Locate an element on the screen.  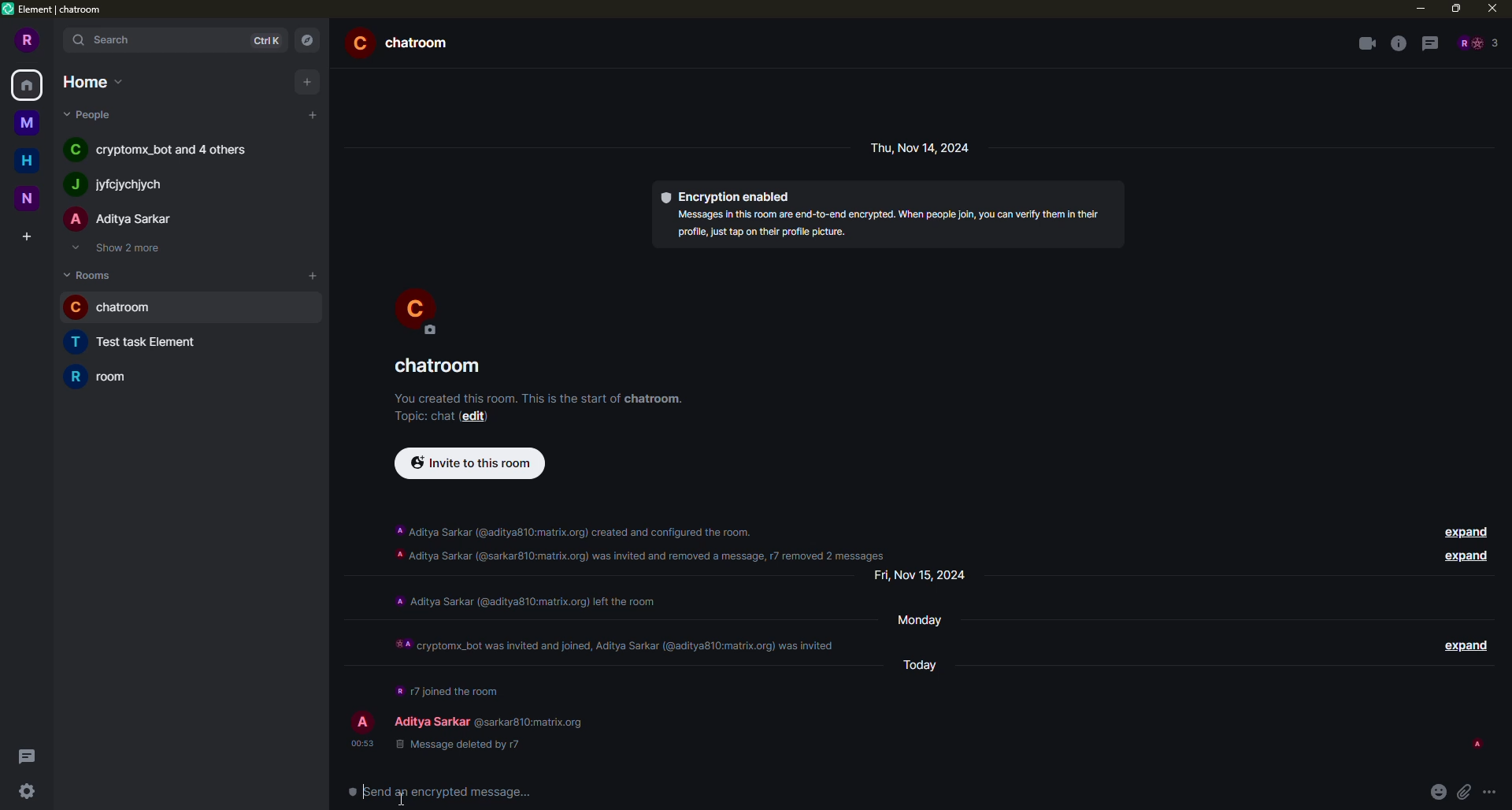
element is located at coordinates (57, 11).